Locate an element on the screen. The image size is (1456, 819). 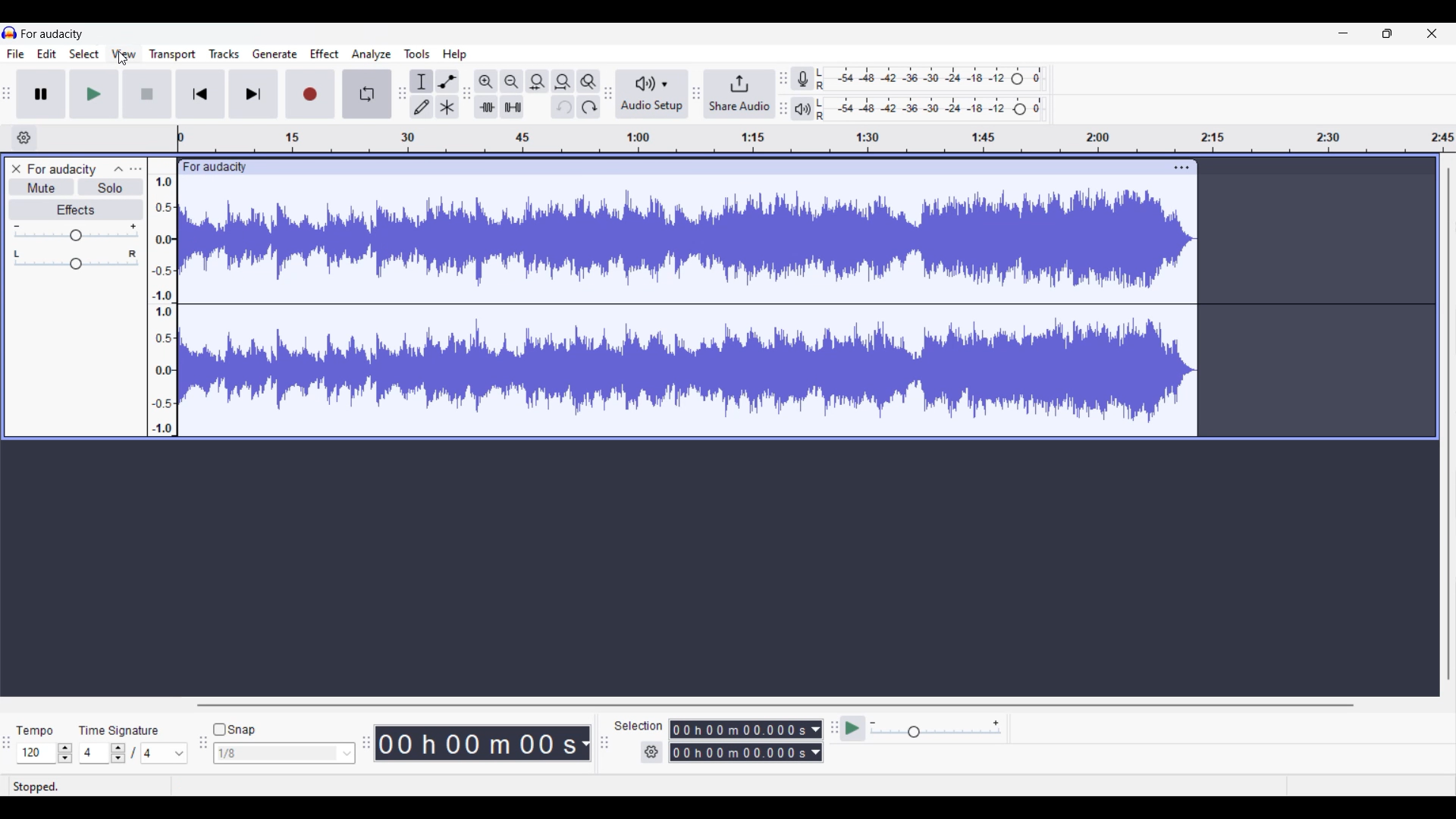
amplitude is located at coordinates (162, 305).